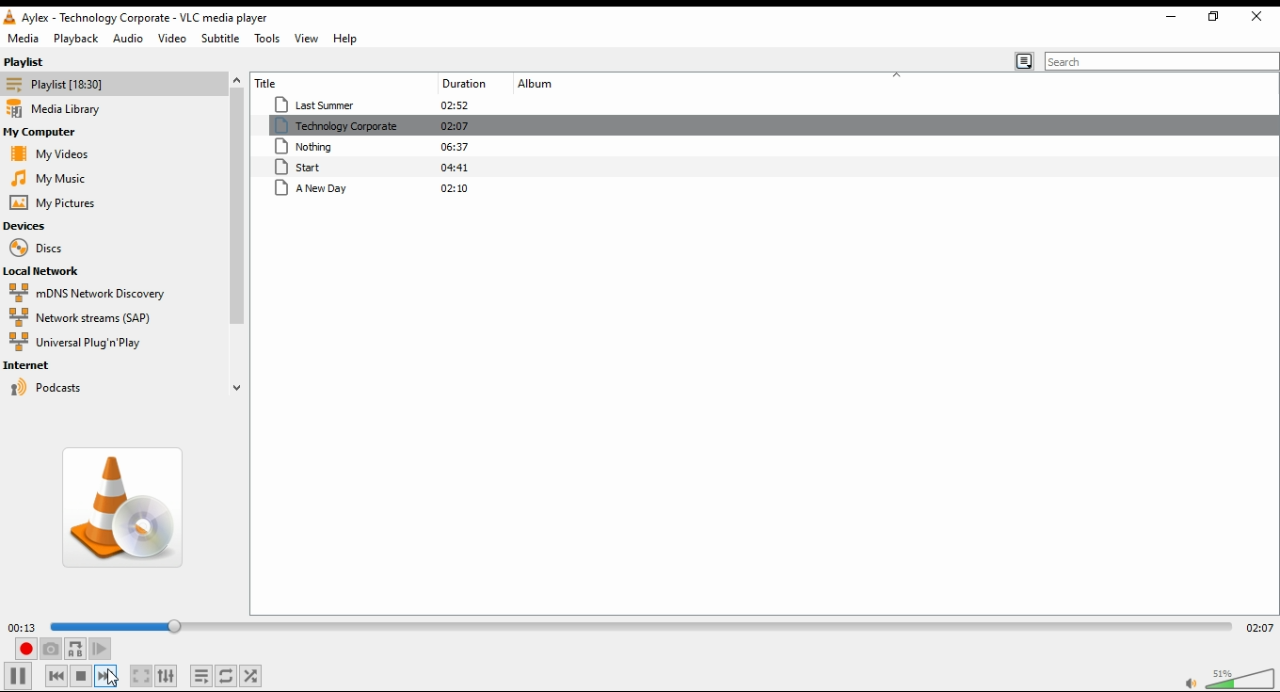  Describe the element at coordinates (59, 109) in the screenshot. I see `media library` at that location.